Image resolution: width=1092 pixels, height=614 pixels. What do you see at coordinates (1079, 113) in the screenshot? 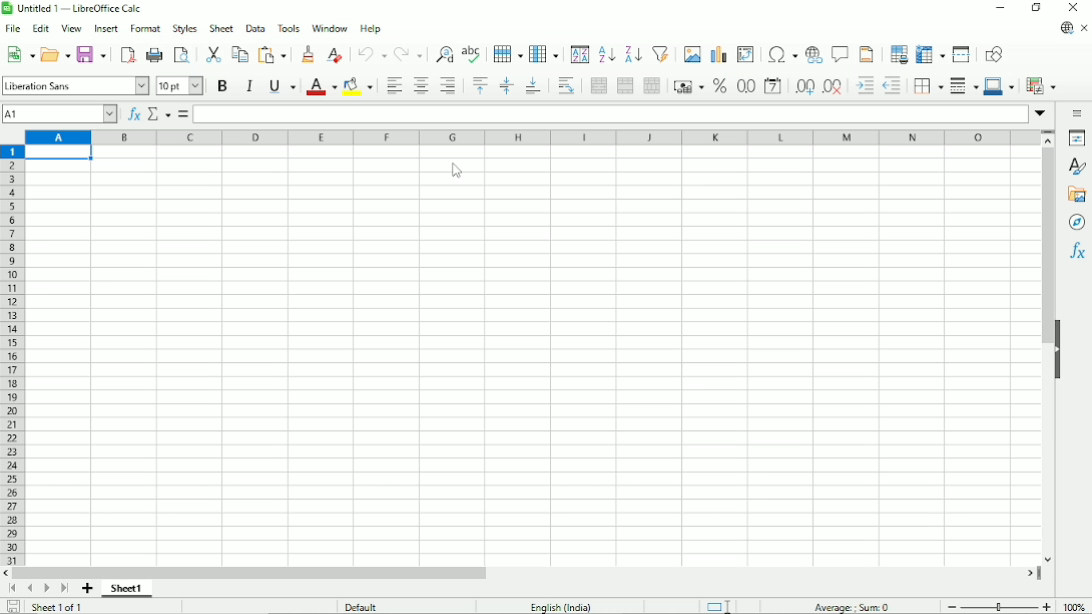
I see `Sidebar settings` at bounding box center [1079, 113].